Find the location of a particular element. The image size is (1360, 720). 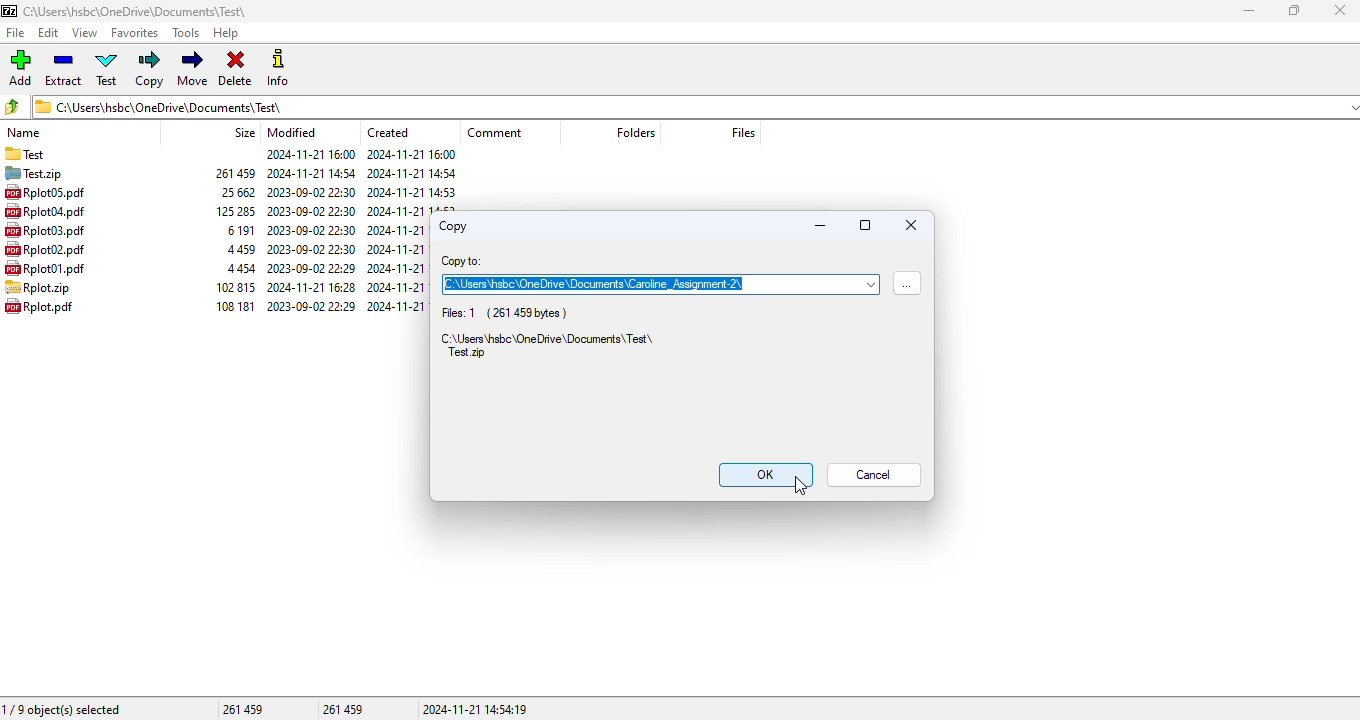

copy is located at coordinates (151, 70).